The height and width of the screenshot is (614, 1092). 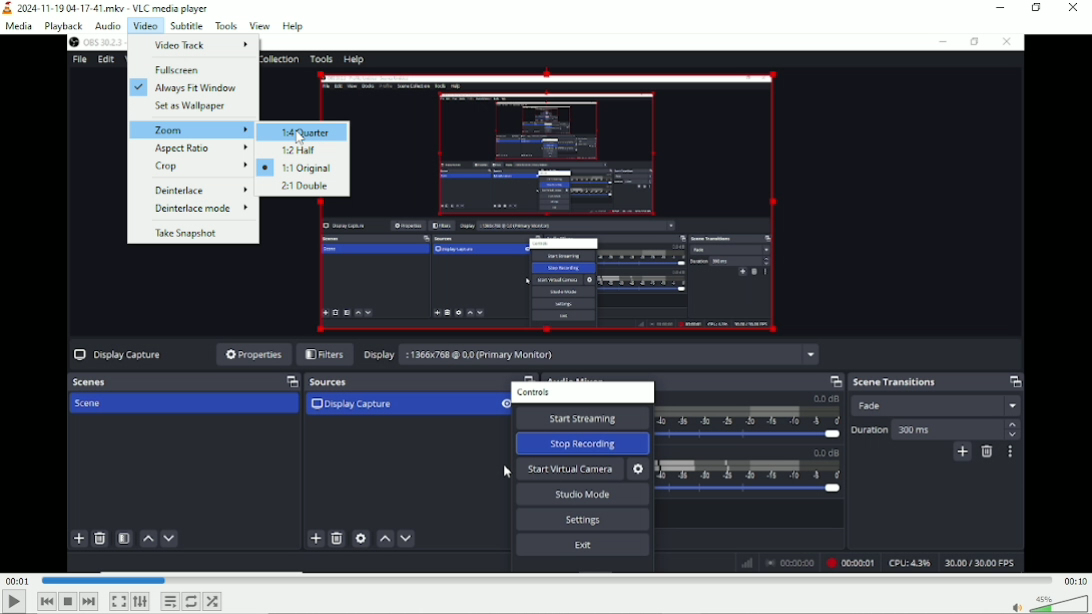 I want to click on Take snapshot, so click(x=193, y=232).